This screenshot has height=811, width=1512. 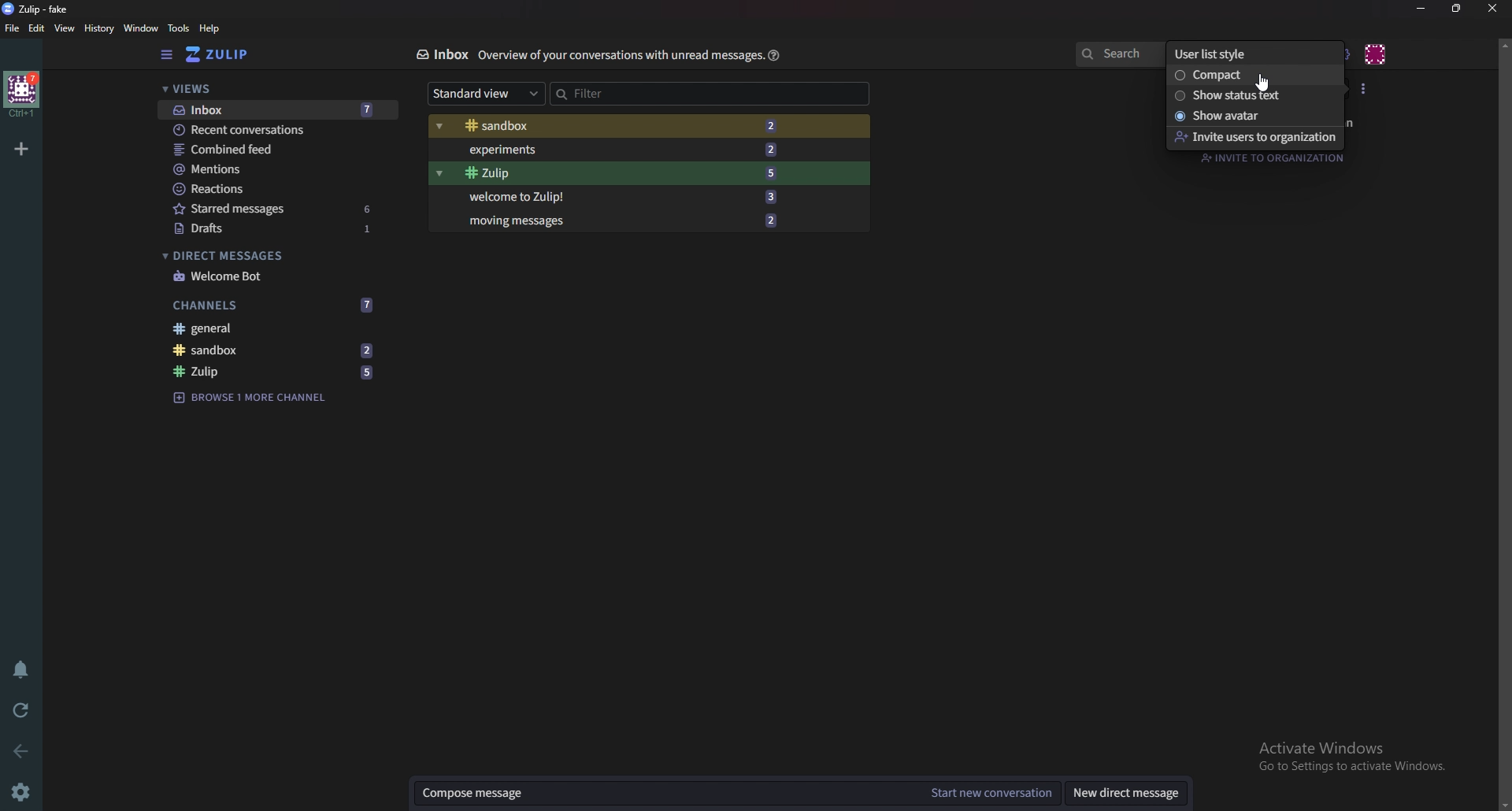 I want to click on Zulip, so click(x=274, y=373).